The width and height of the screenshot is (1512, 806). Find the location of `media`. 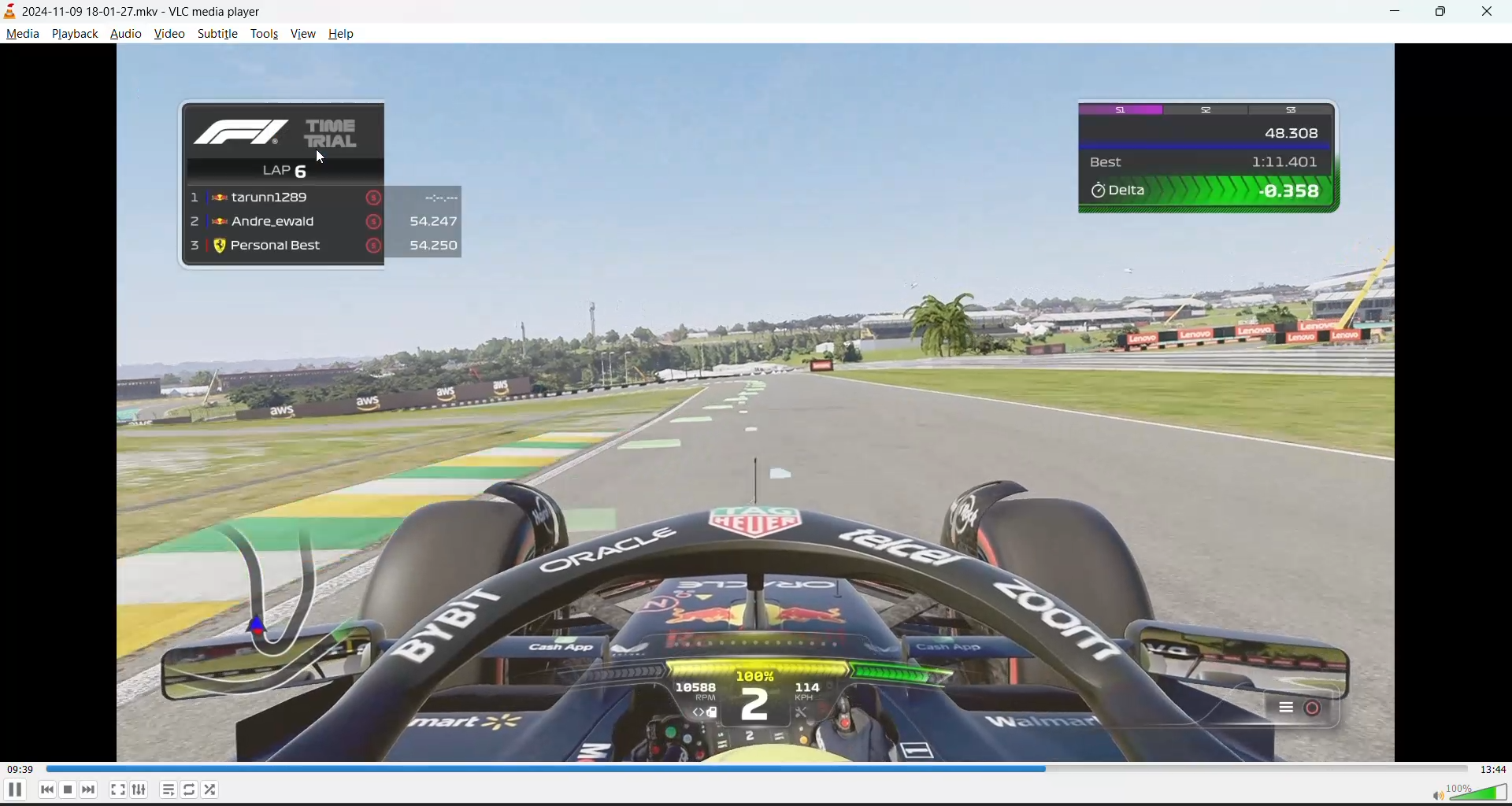

media is located at coordinates (22, 35).